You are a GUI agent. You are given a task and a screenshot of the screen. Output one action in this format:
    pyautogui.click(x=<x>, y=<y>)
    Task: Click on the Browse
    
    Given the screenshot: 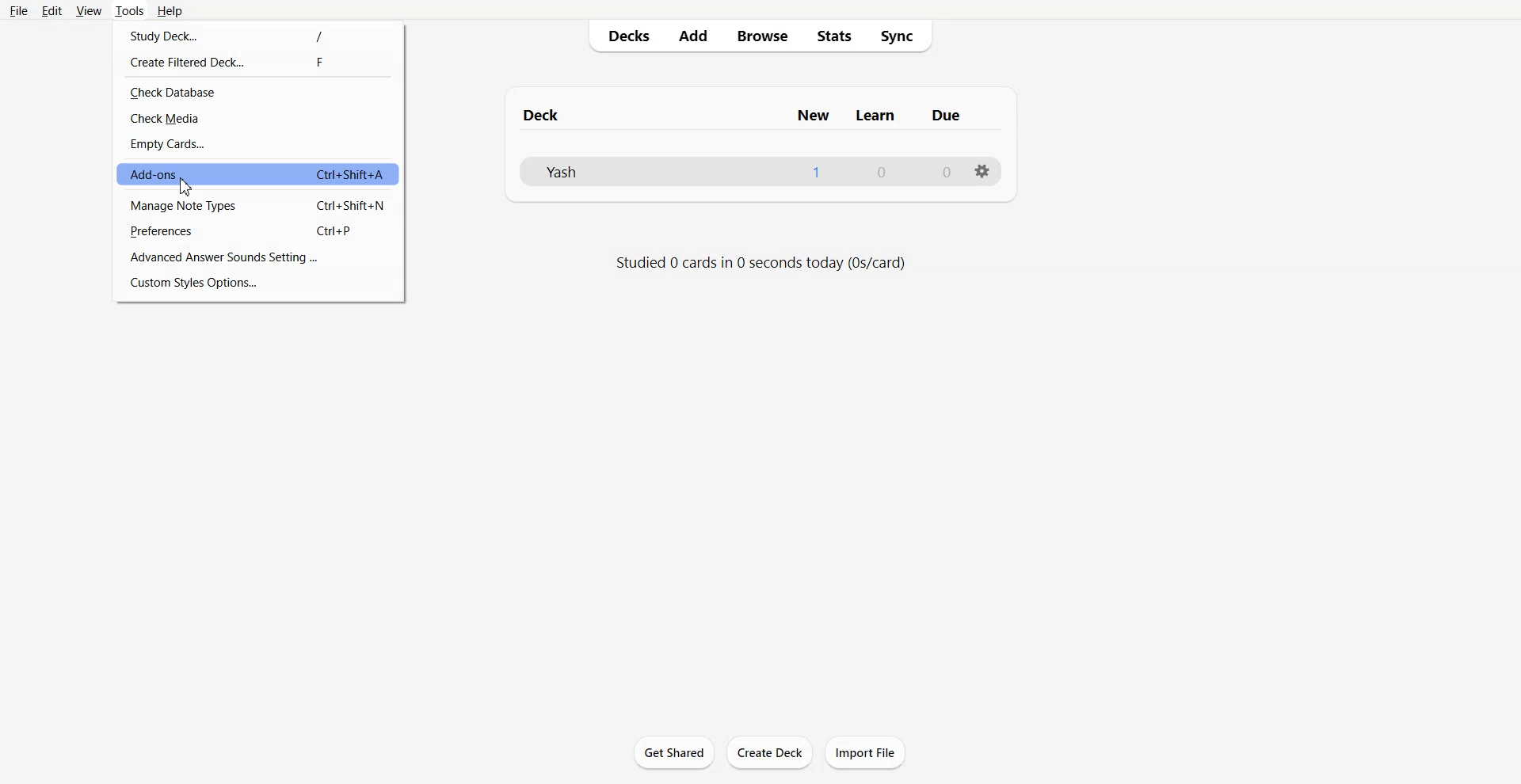 What is the action you would take?
    pyautogui.click(x=763, y=36)
    